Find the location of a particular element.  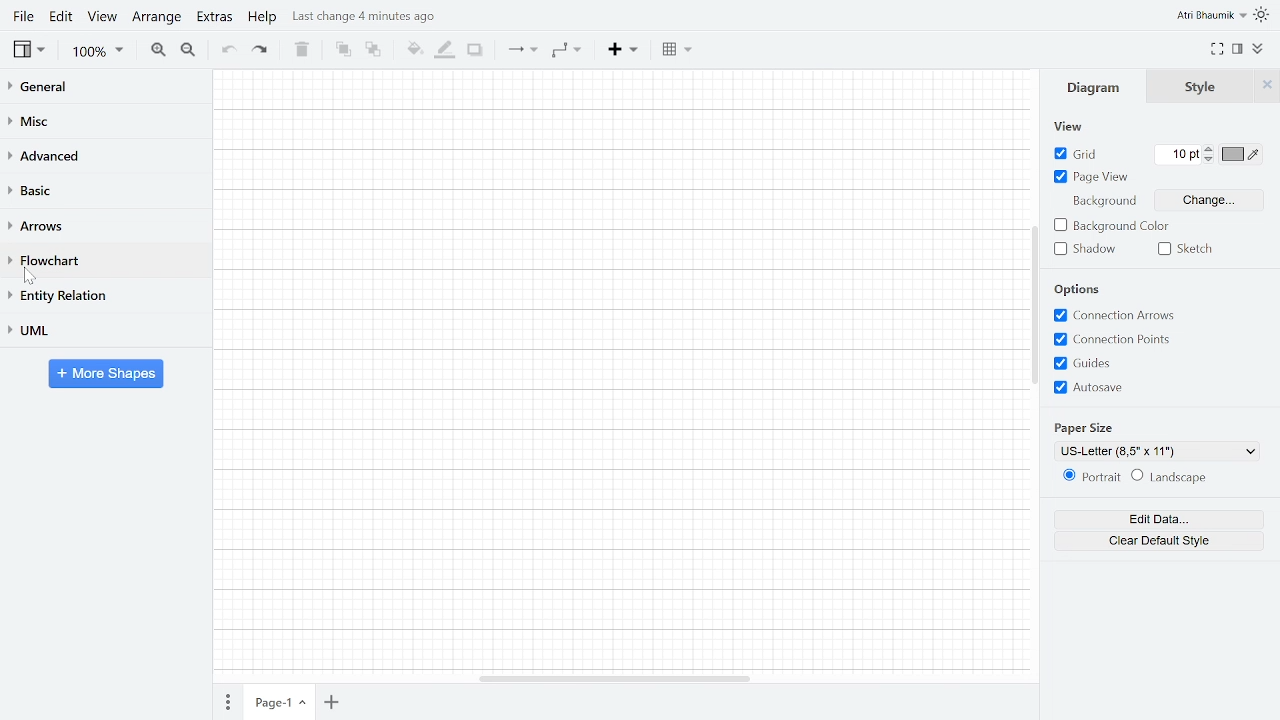

Autosave is located at coordinates (1091, 386).